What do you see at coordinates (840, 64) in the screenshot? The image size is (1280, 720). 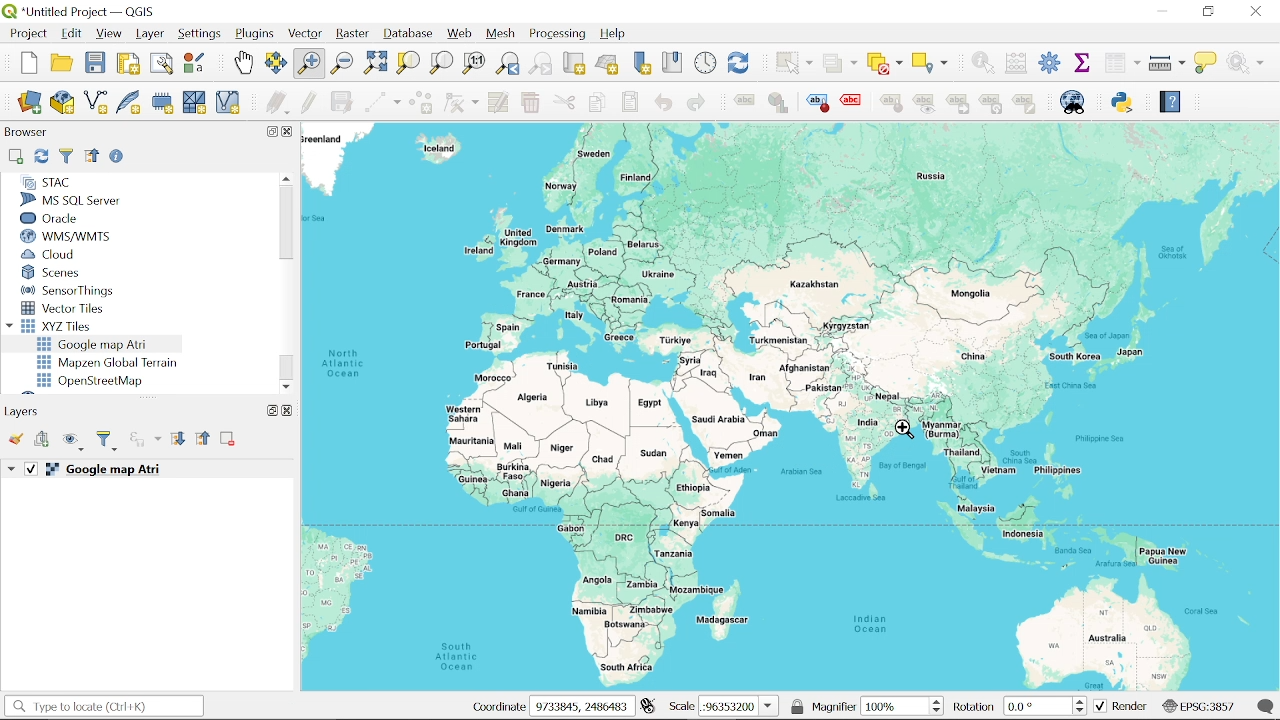 I see `Select features by value` at bounding box center [840, 64].